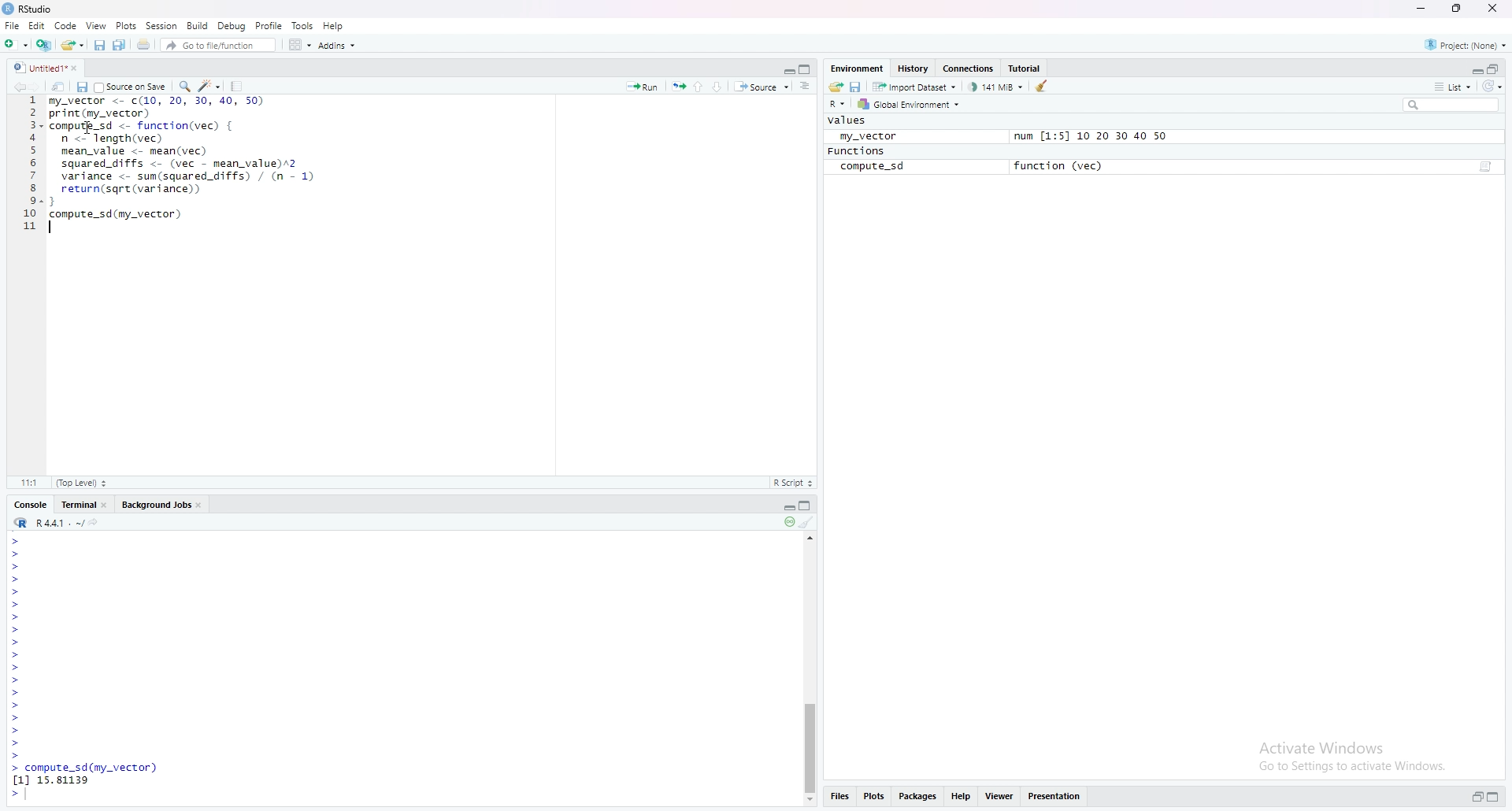  I want to click on Run the current line or selection ( Ctrl + Enter), so click(642, 86).